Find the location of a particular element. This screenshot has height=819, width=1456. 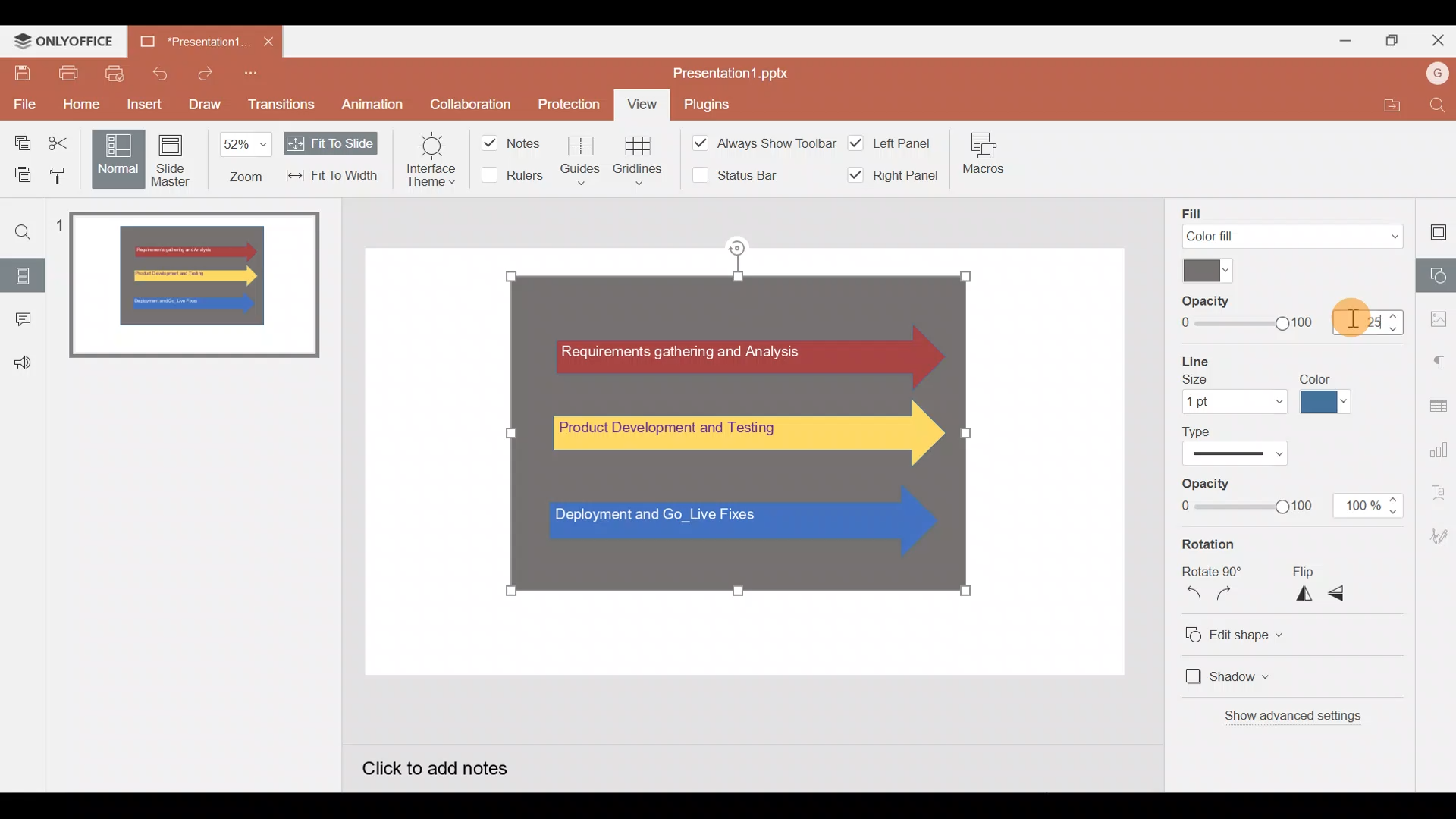

Chart settings is located at coordinates (1439, 444).